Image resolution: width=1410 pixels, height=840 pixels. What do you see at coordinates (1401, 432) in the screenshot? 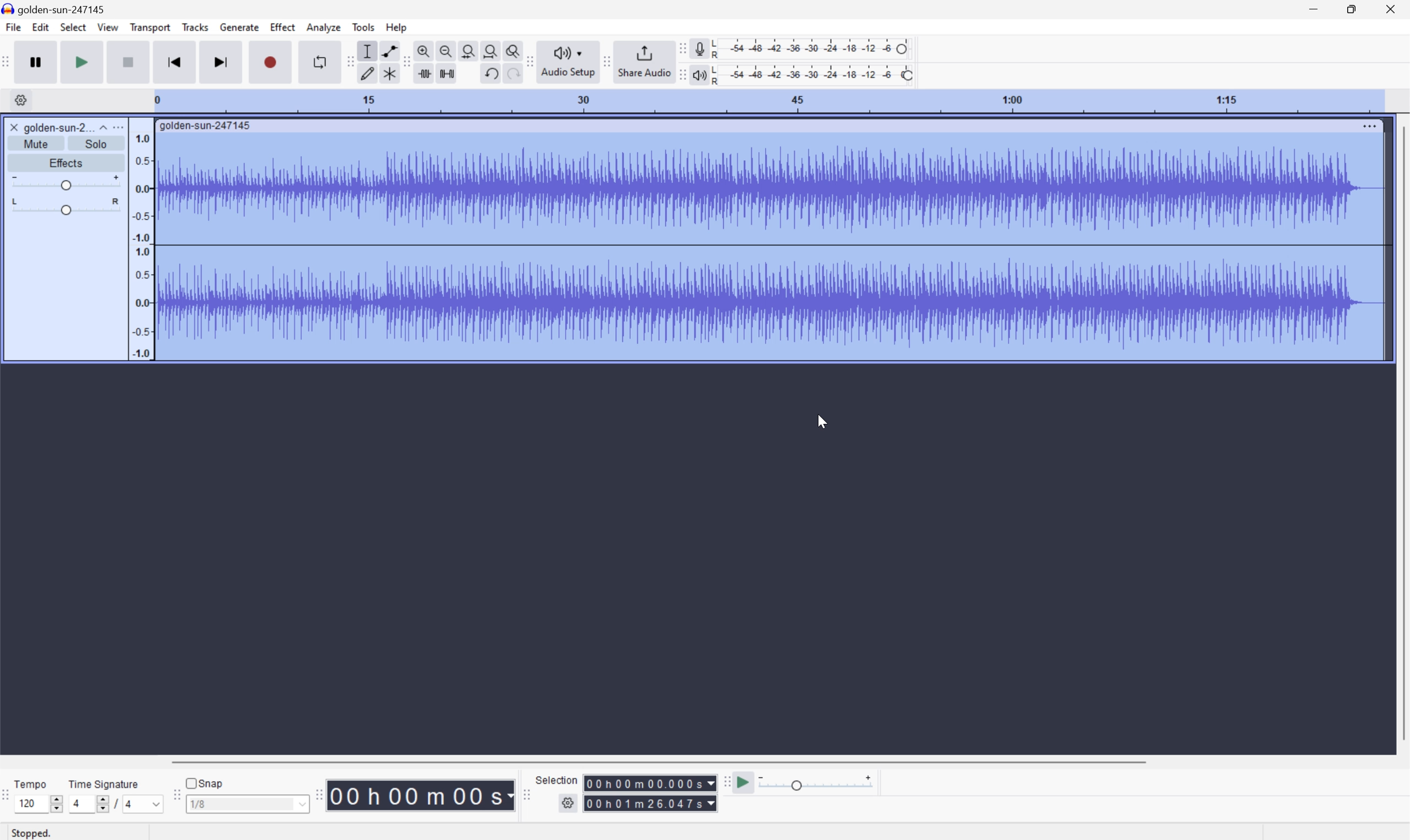
I see `Scroll Bar` at bounding box center [1401, 432].